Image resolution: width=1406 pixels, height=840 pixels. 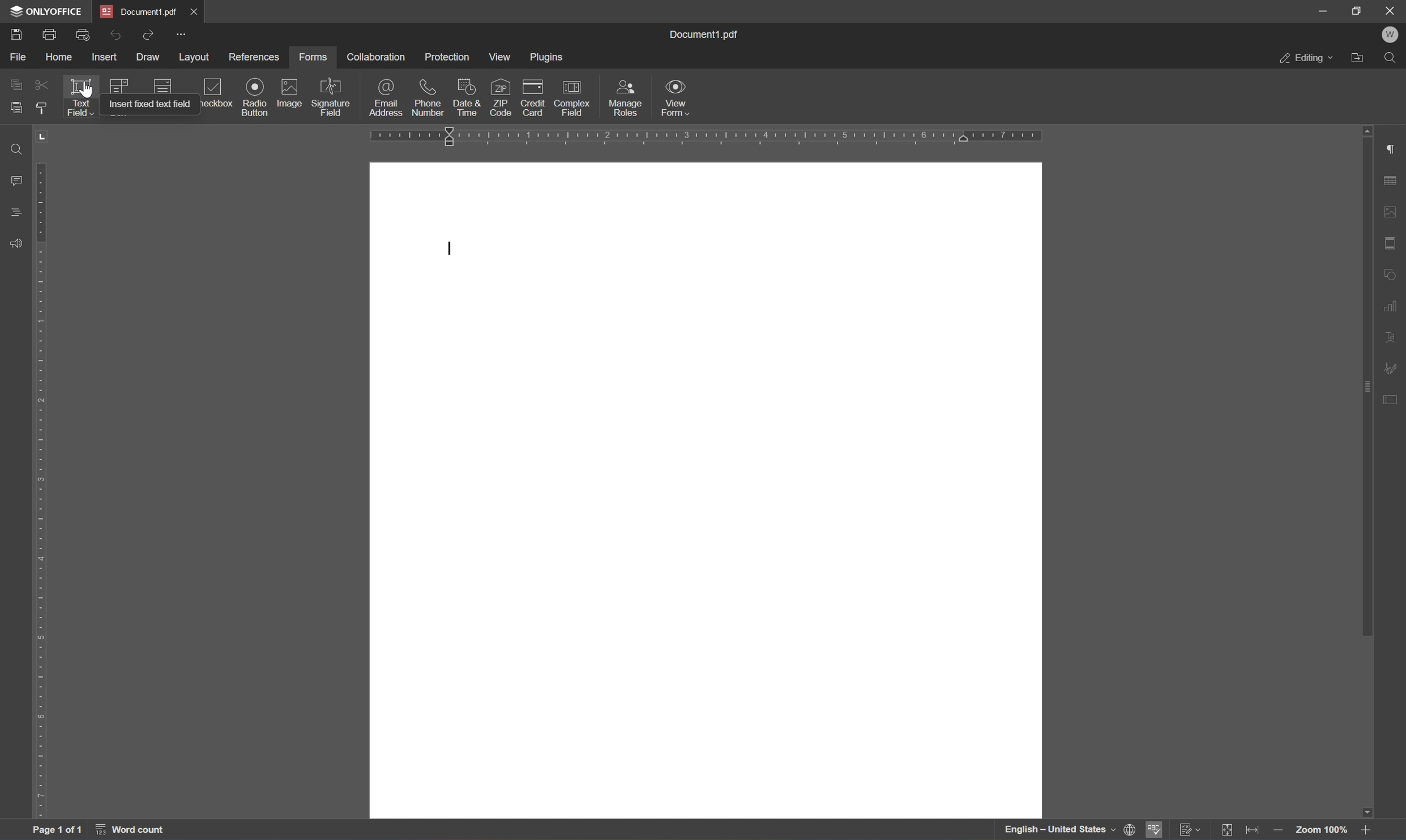 I want to click on more, so click(x=183, y=35).